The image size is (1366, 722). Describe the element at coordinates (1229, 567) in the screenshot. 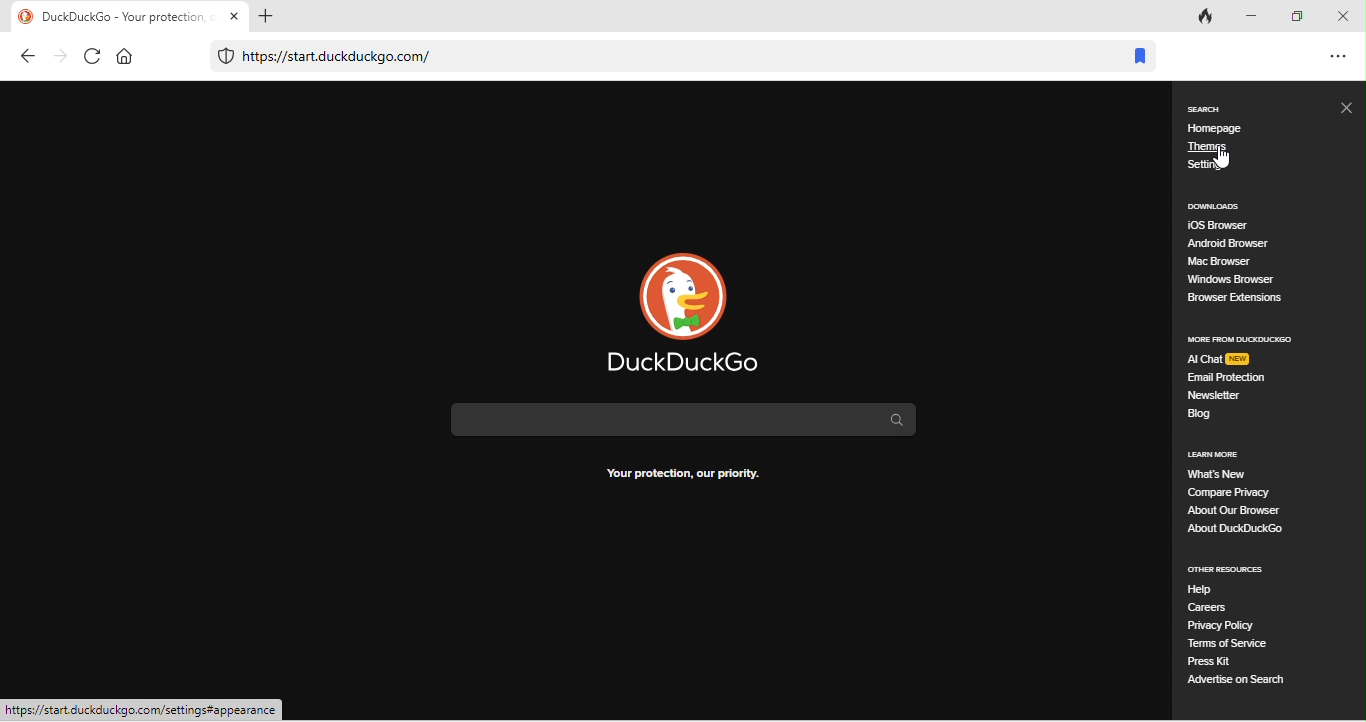

I see `other resources` at that location.